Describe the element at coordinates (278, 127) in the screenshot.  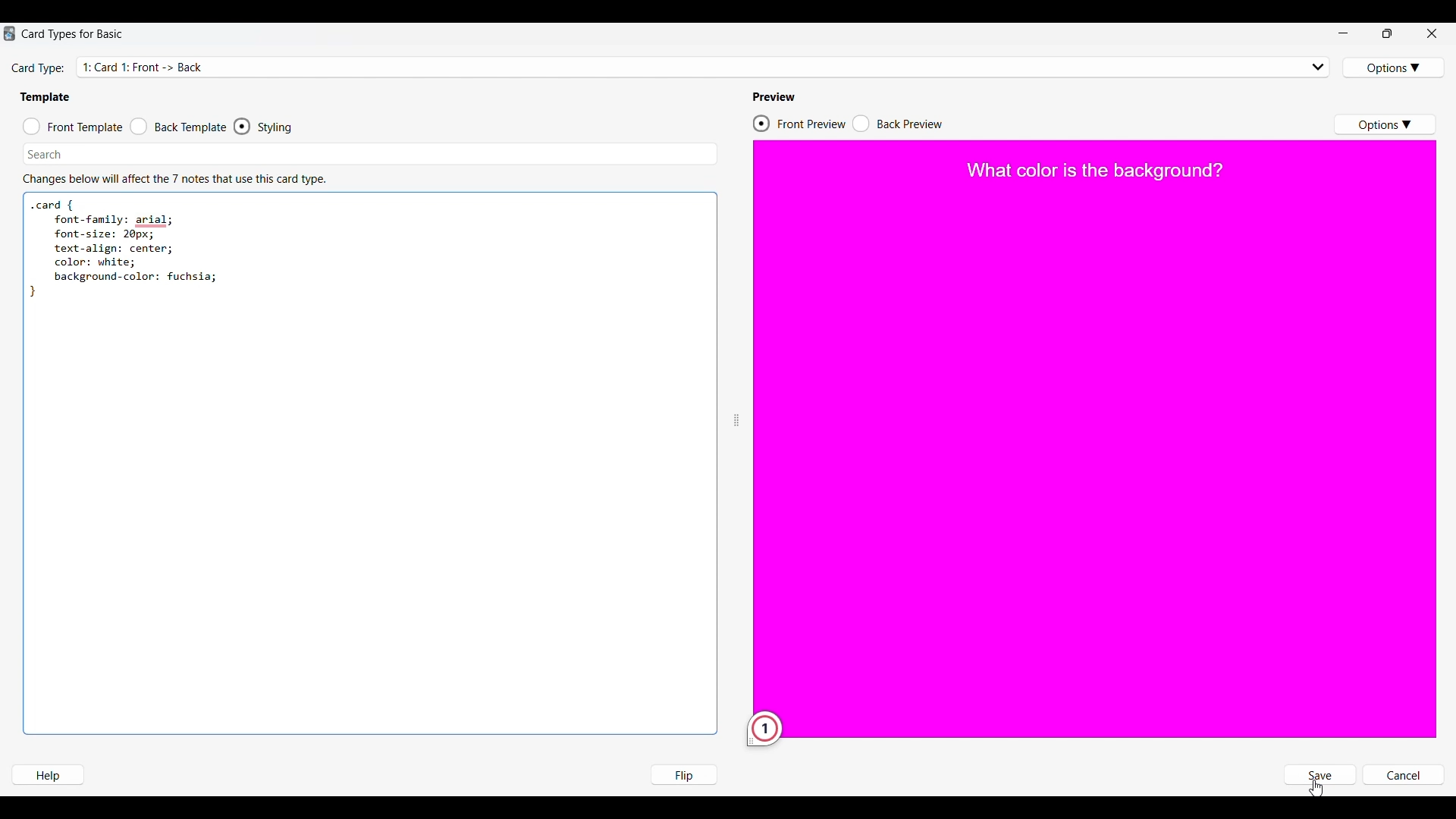
I see `Template styling` at that location.